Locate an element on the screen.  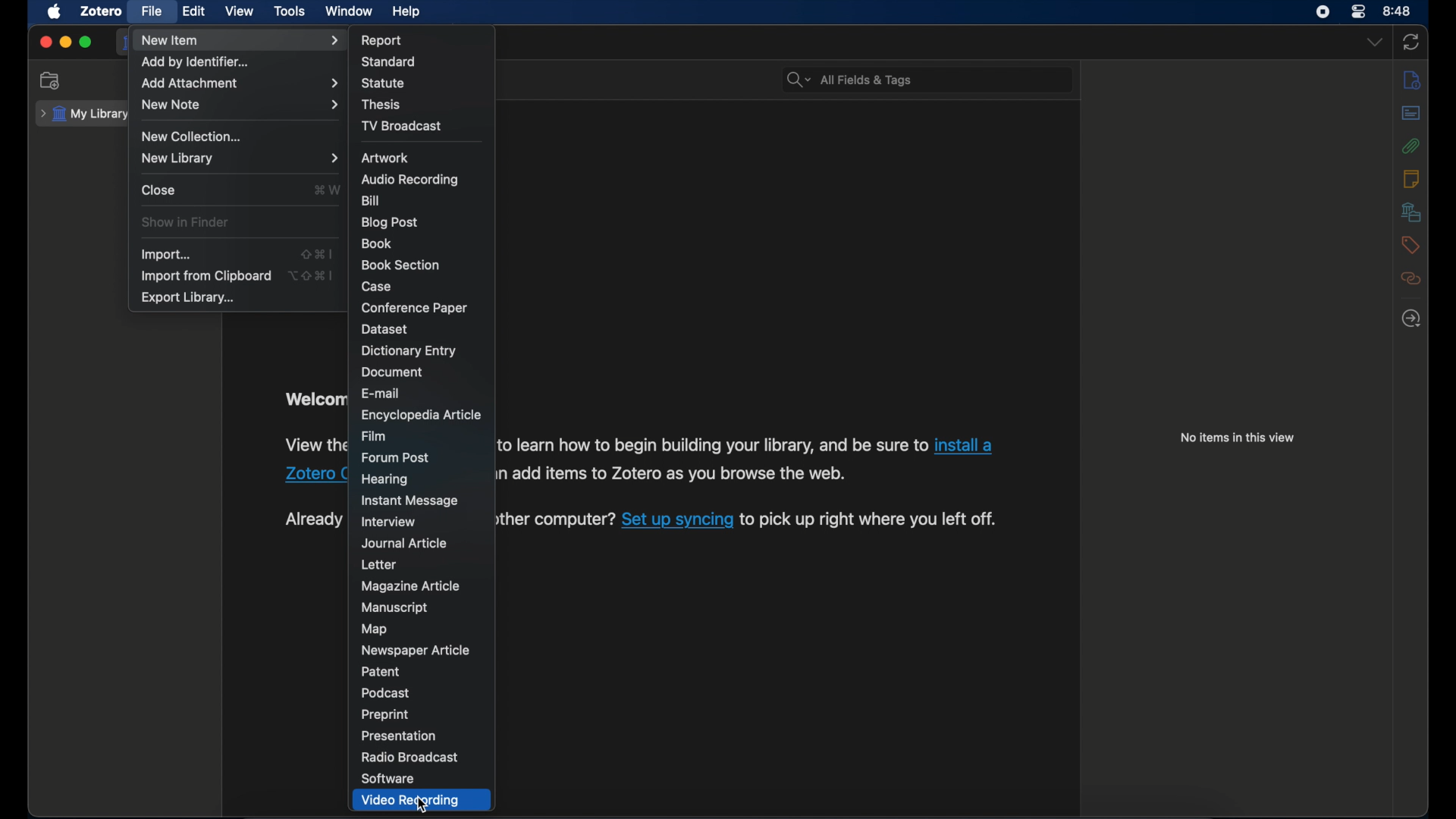
conference paper is located at coordinates (415, 309).